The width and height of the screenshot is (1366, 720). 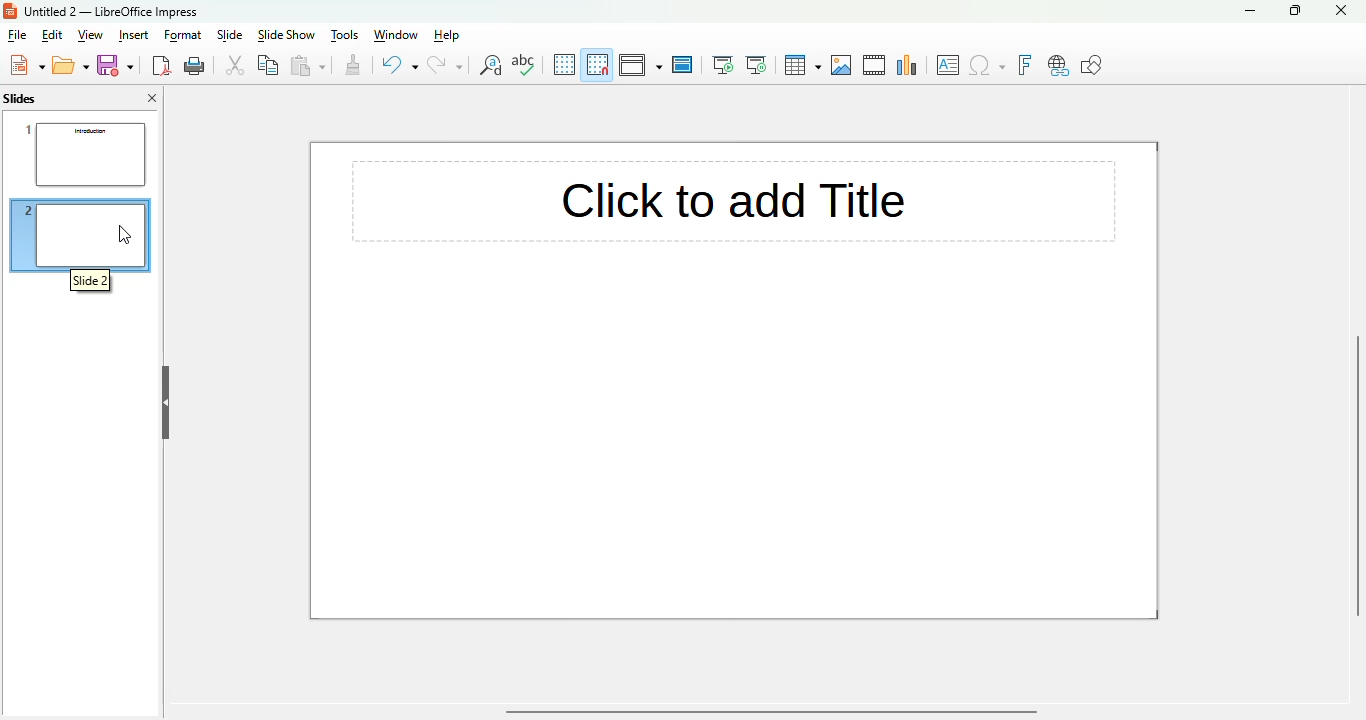 What do you see at coordinates (343, 35) in the screenshot?
I see `tools` at bounding box center [343, 35].